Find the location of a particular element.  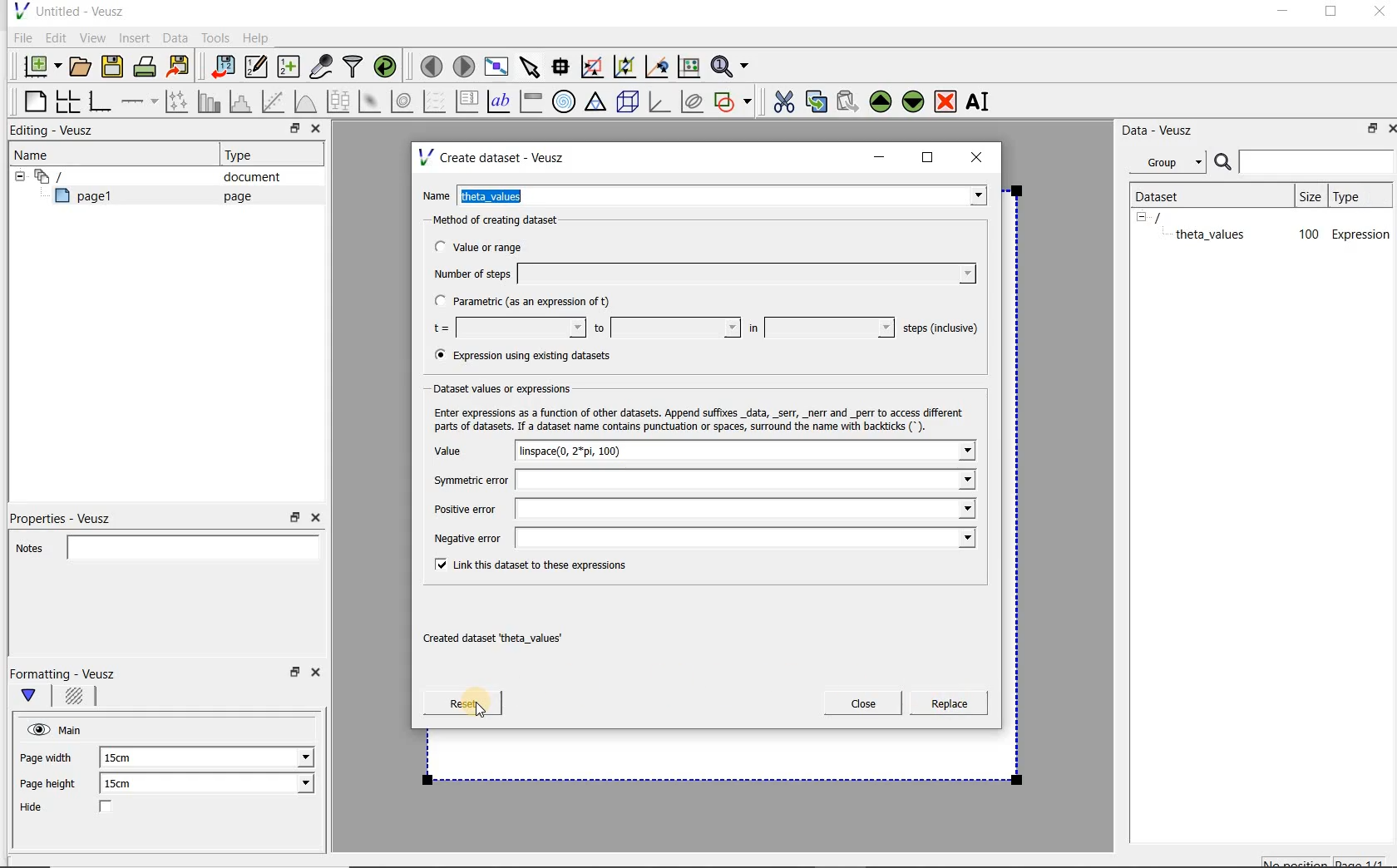

plot box plots is located at coordinates (338, 102).